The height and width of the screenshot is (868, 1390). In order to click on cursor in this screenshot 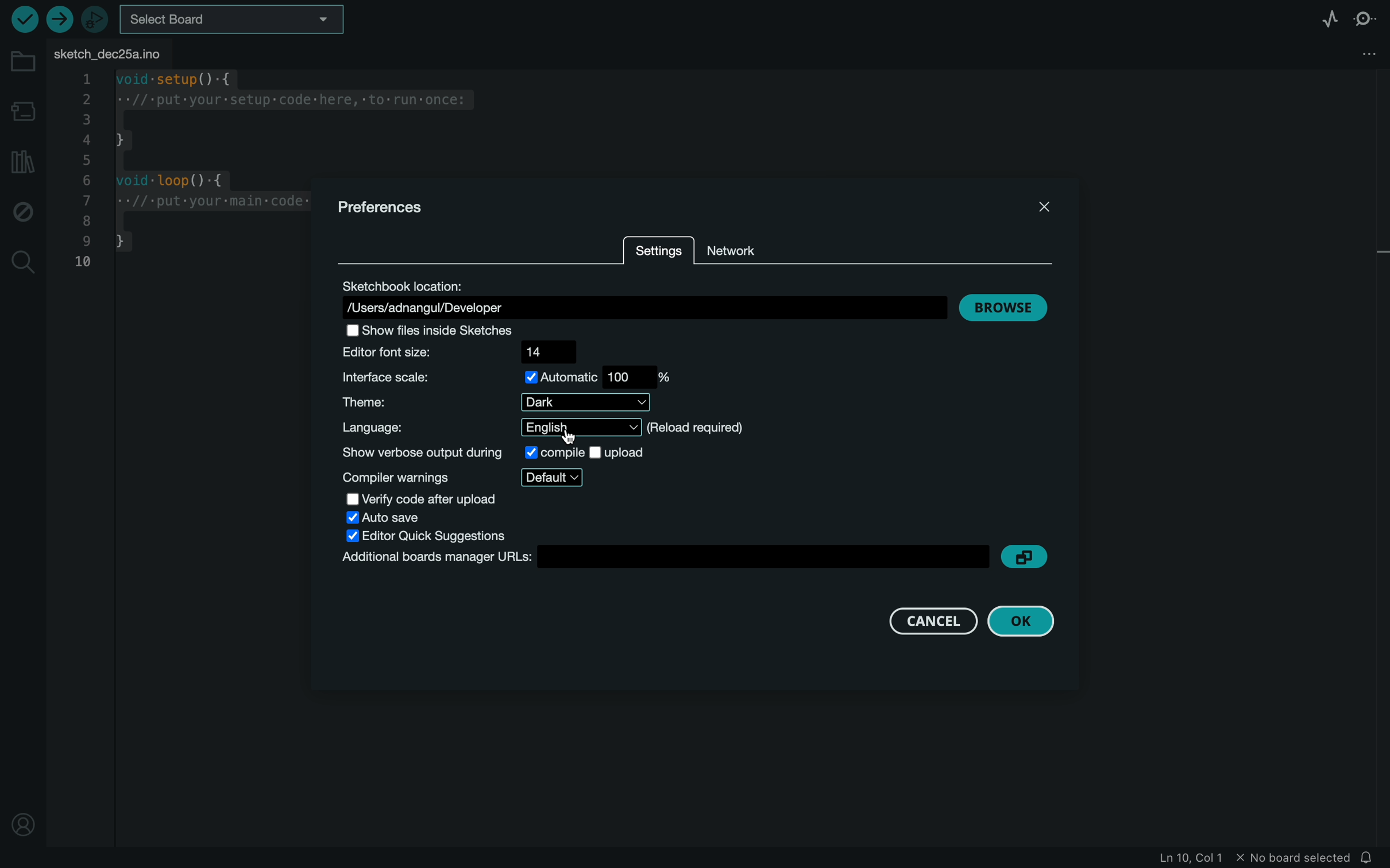, I will do `click(571, 435)`.